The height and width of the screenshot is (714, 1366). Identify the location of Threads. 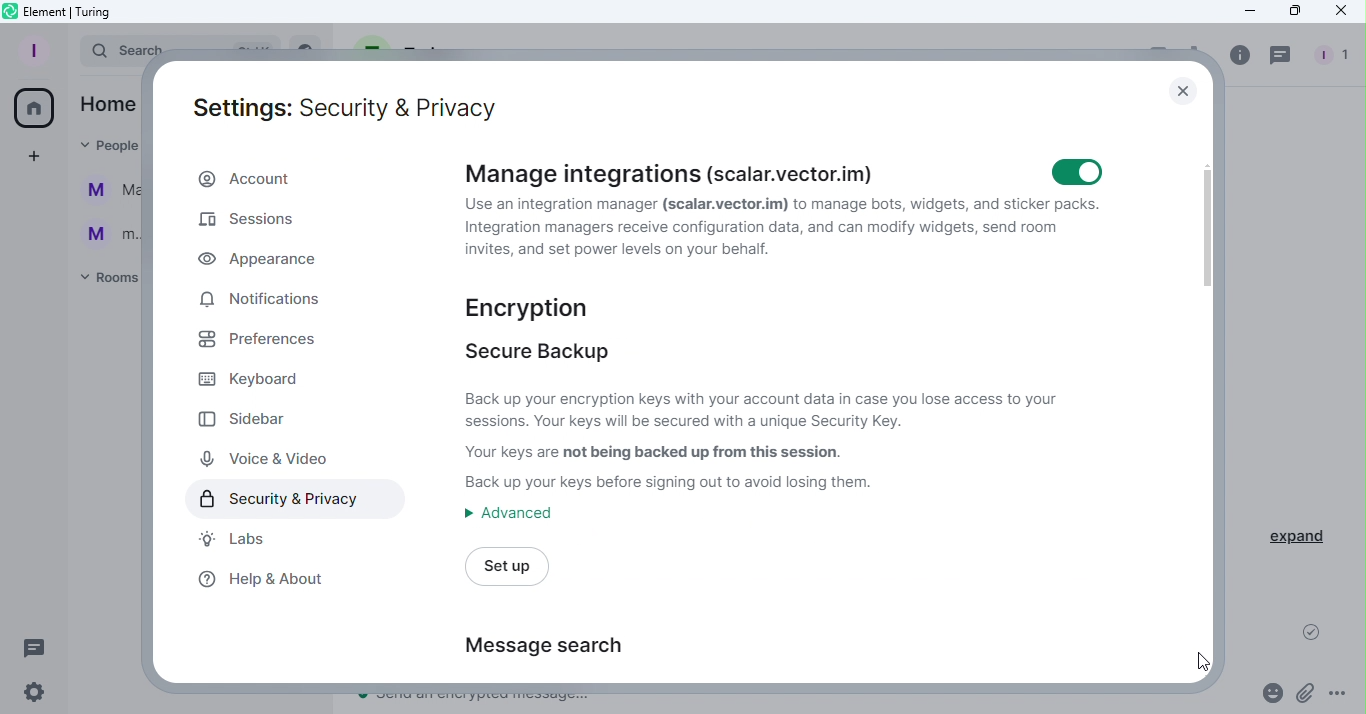
(1280, 54).